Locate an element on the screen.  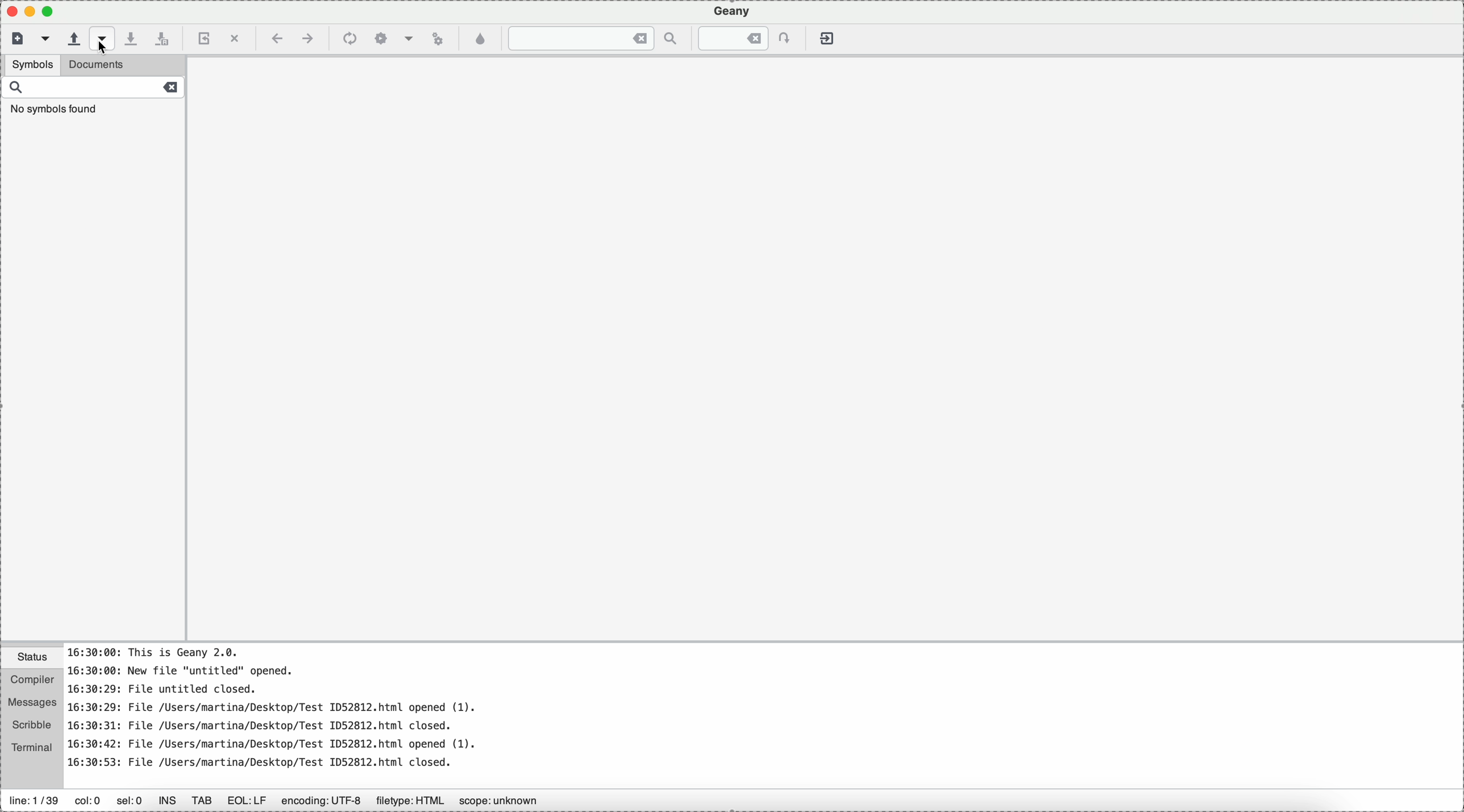
workspace is located at coordinates (831, 357).